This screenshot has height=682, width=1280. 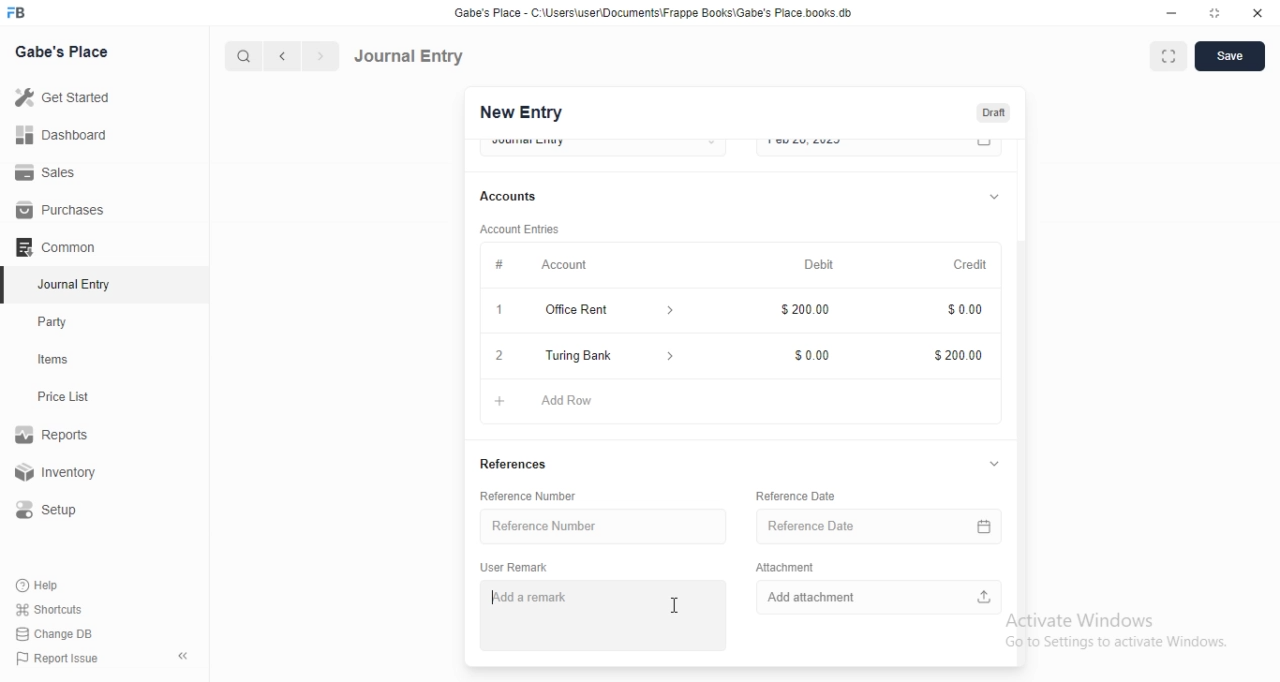 I want to click on tems, so click(x=61, y=360).